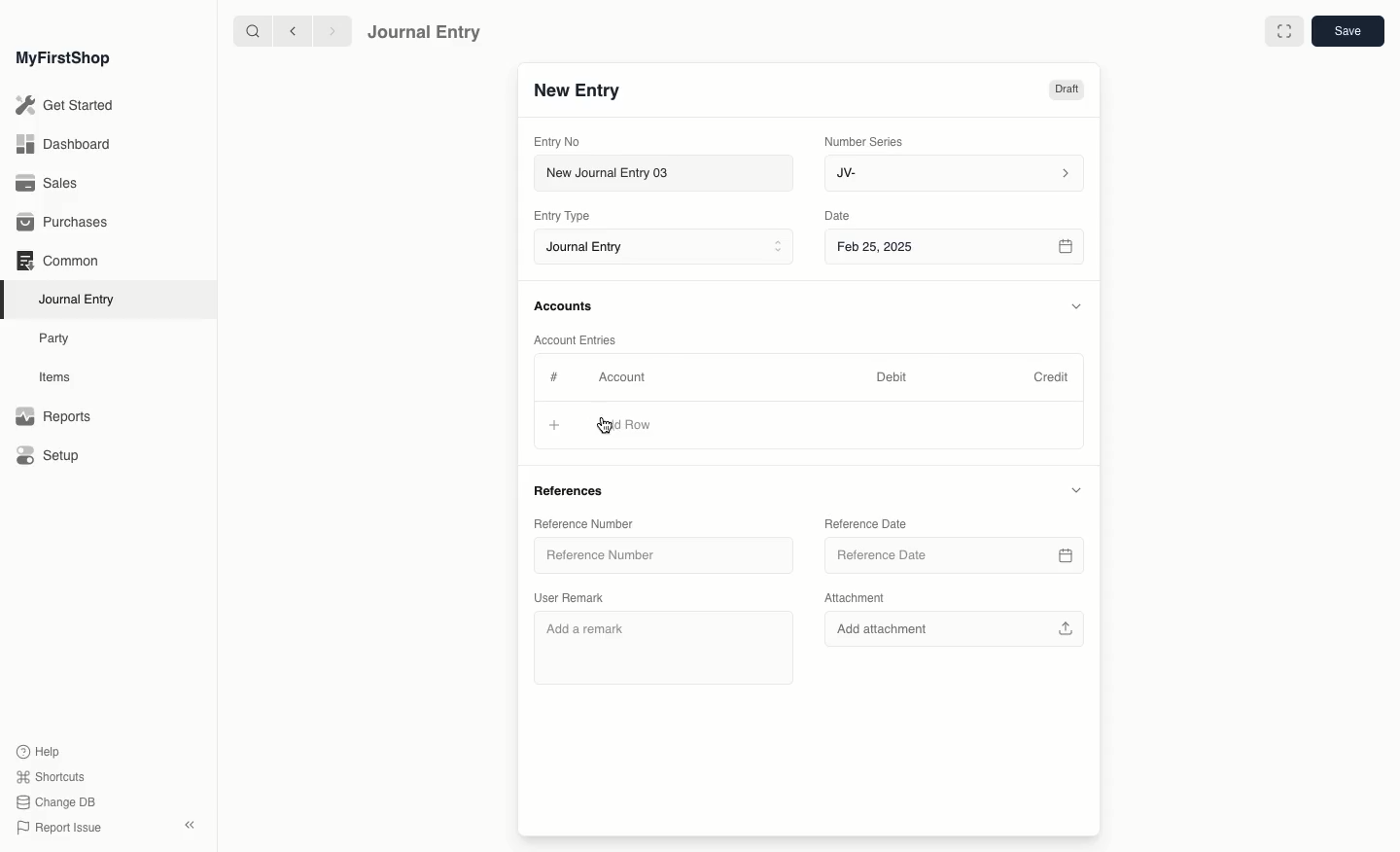  I want to click on Draft, so click(1066, 91).